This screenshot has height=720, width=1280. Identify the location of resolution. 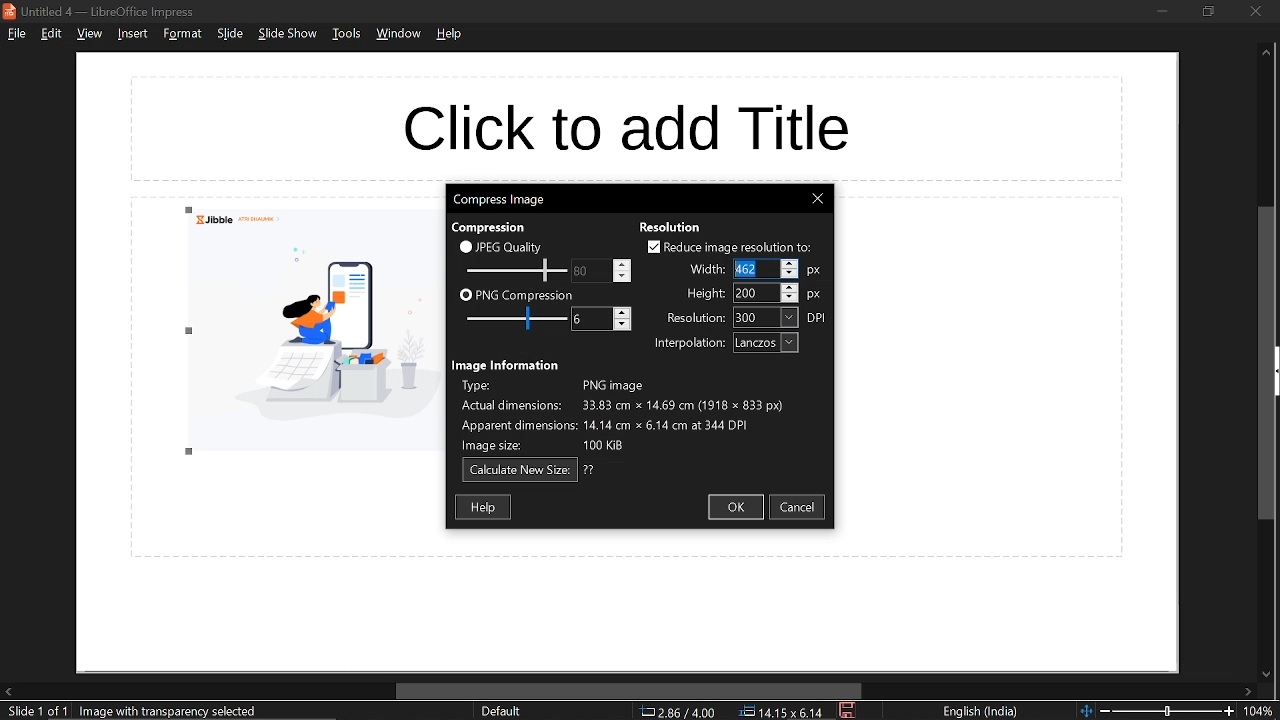
(766, 318).